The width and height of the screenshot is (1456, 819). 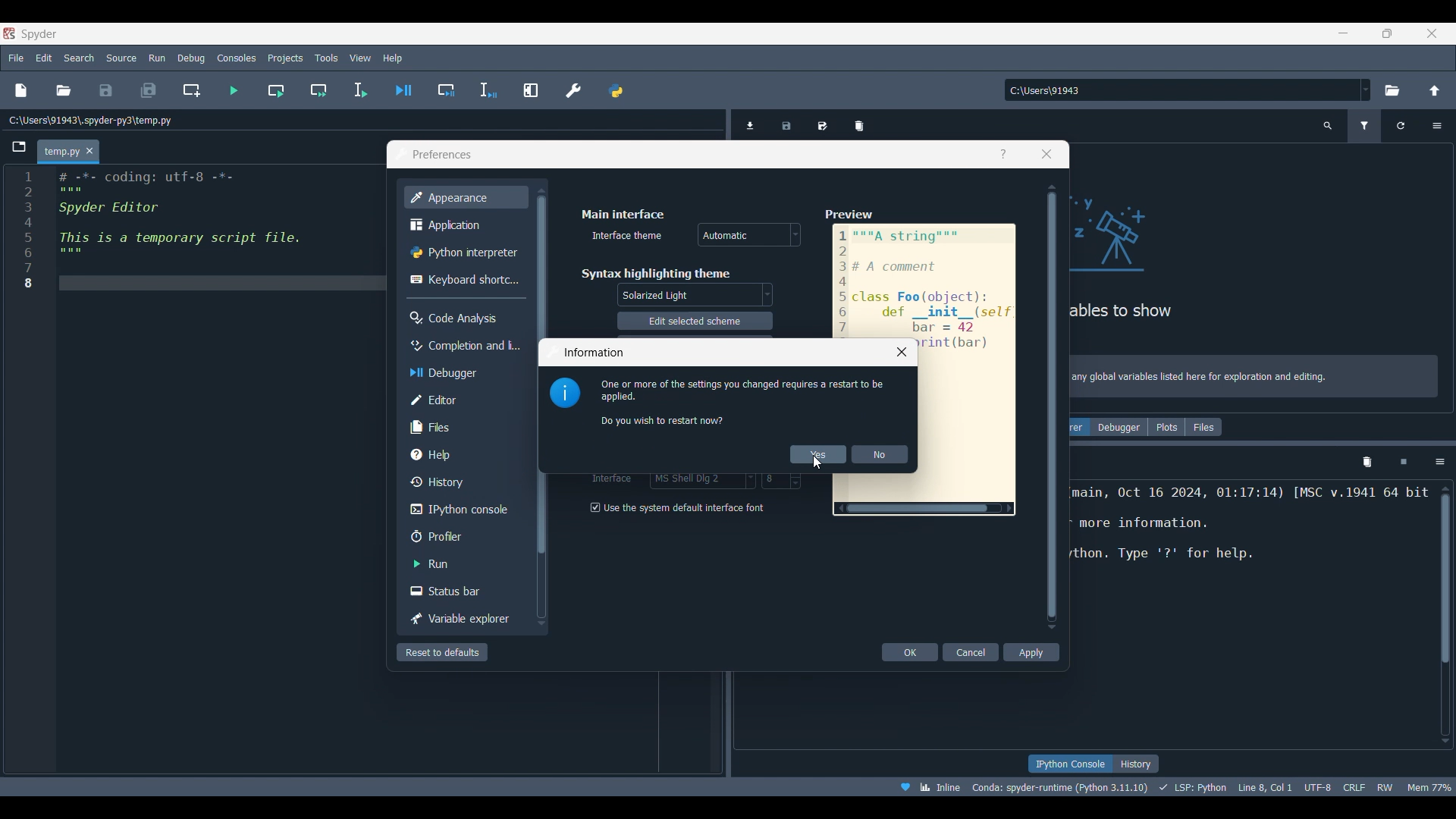 What do you see at coordinates (463, 428) in the screenshot?
I see `Files` at bounding box center [463, 428].